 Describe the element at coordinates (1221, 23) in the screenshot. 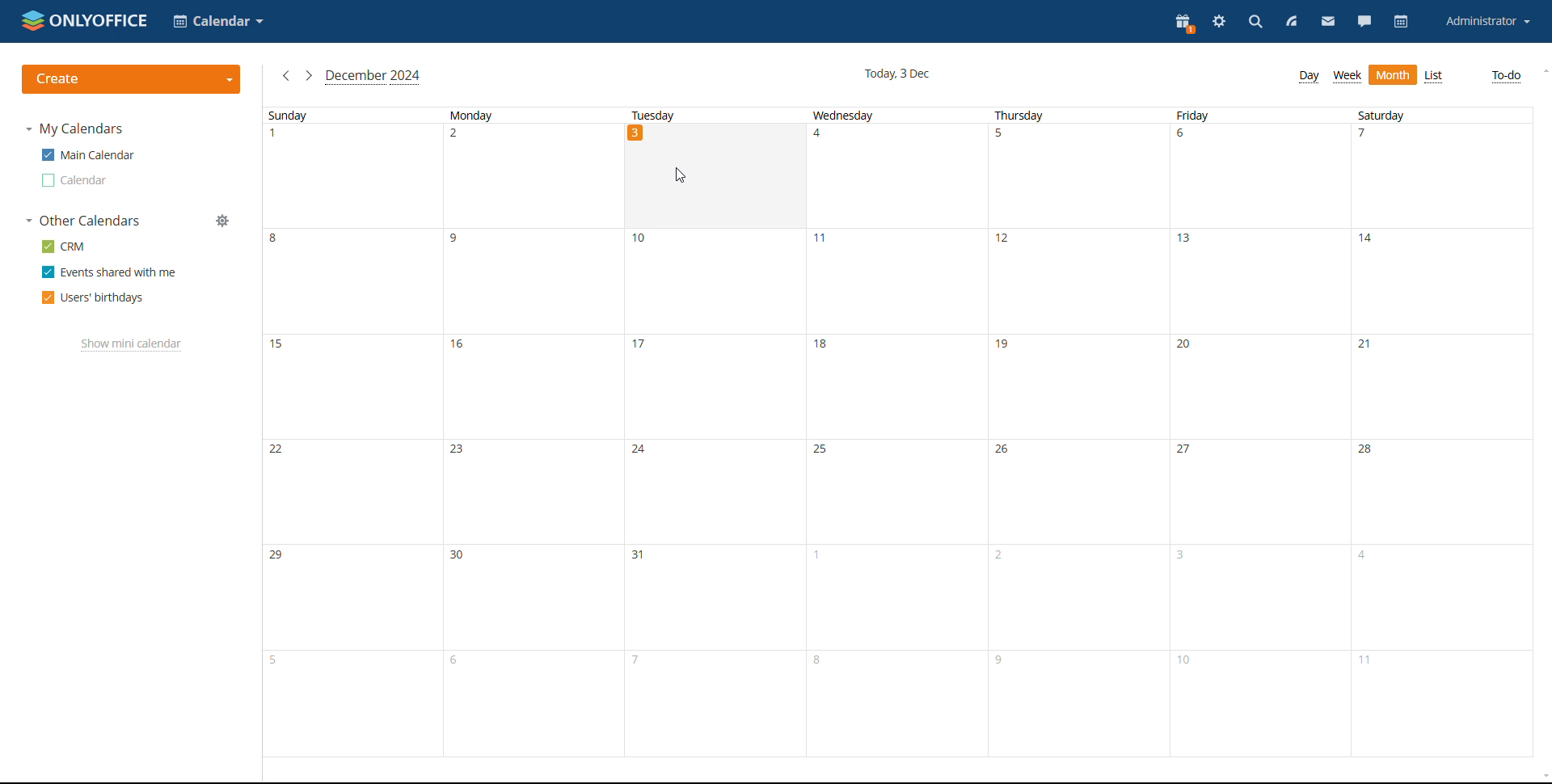

I see `settings` at that location.